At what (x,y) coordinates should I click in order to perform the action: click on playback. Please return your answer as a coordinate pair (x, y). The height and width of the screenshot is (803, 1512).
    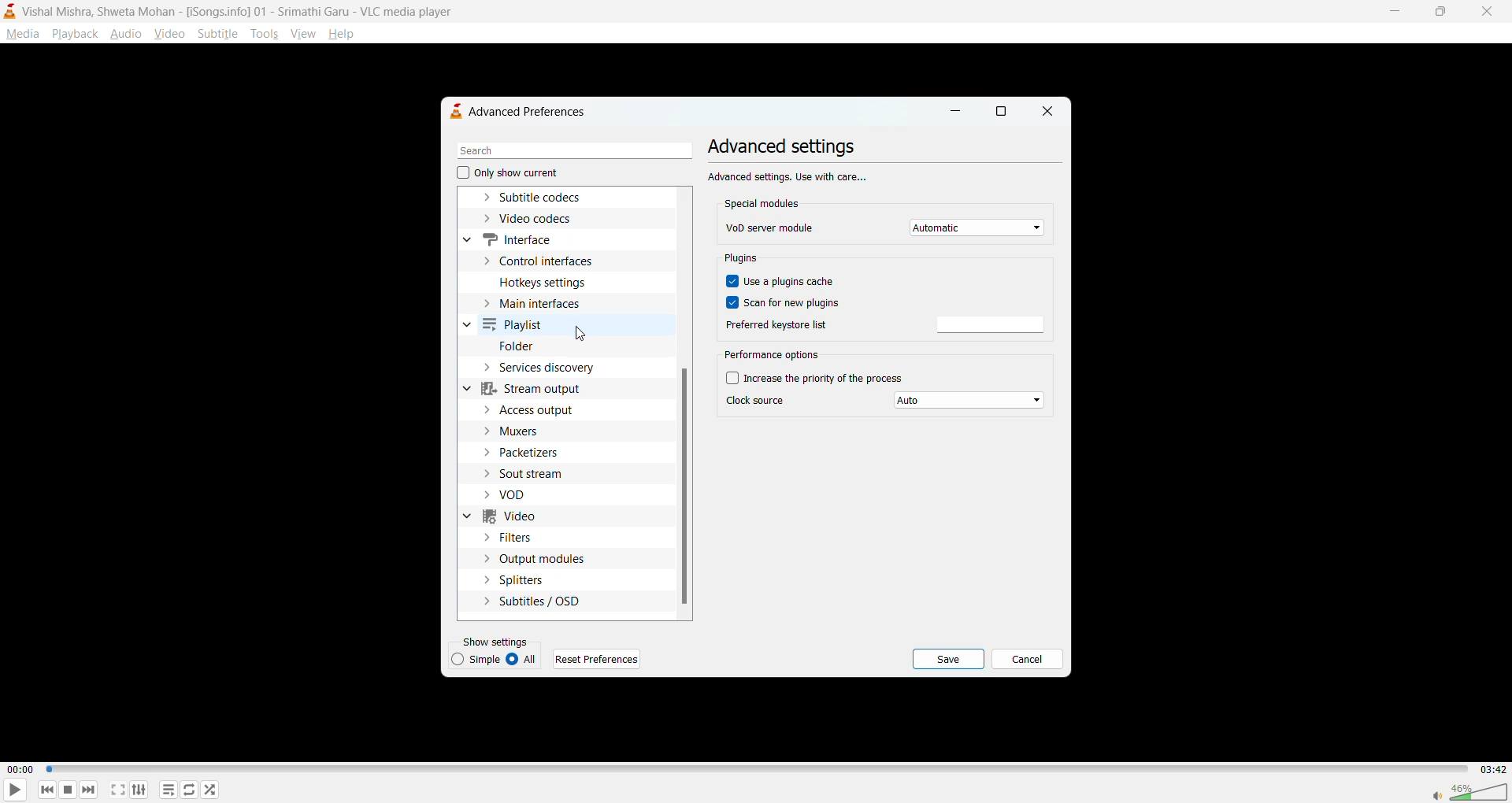
    Looking at the image, I should click on (74, 33).